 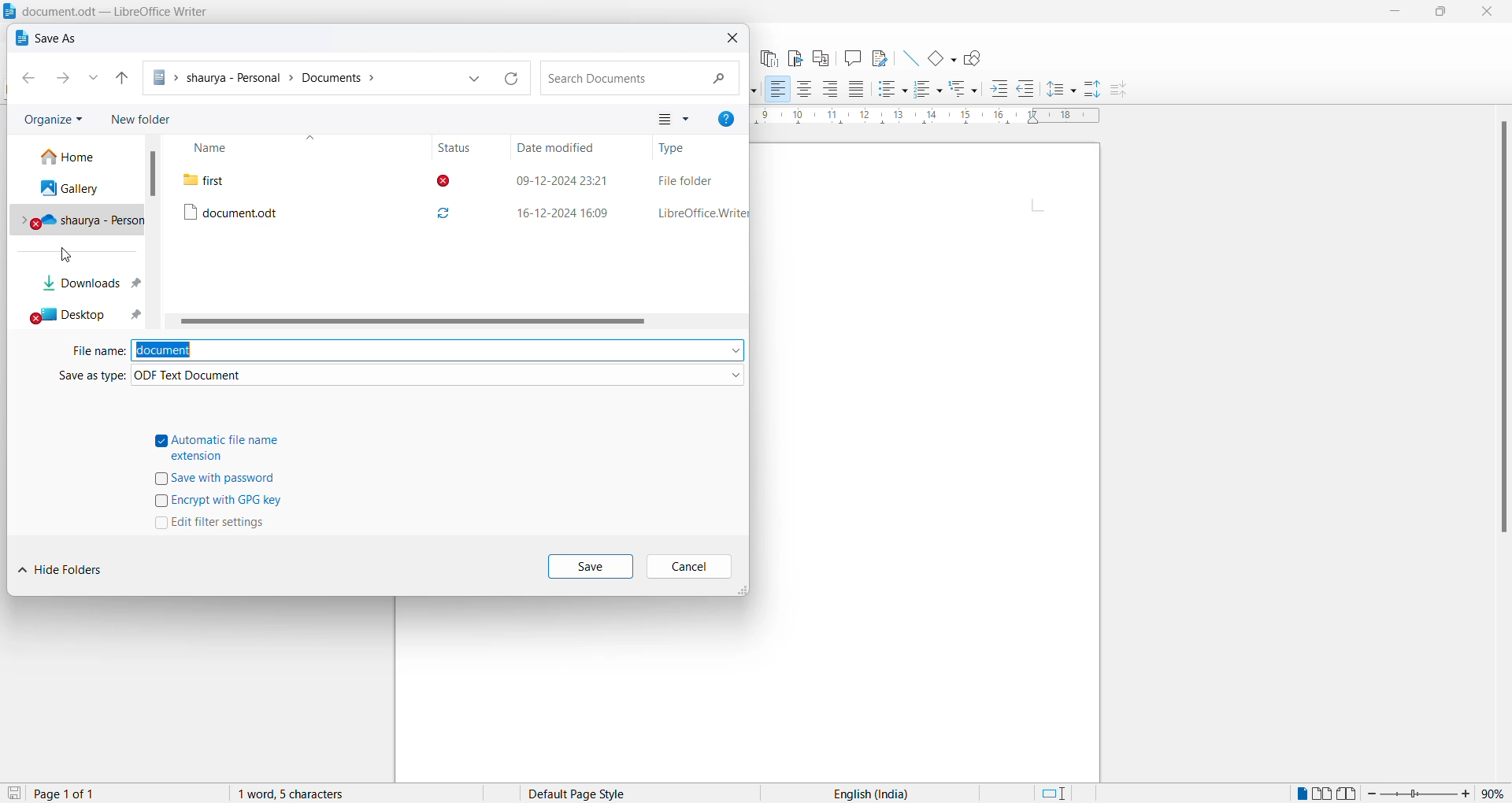 I want to click on Align Centre, so click(x=804, y=90).